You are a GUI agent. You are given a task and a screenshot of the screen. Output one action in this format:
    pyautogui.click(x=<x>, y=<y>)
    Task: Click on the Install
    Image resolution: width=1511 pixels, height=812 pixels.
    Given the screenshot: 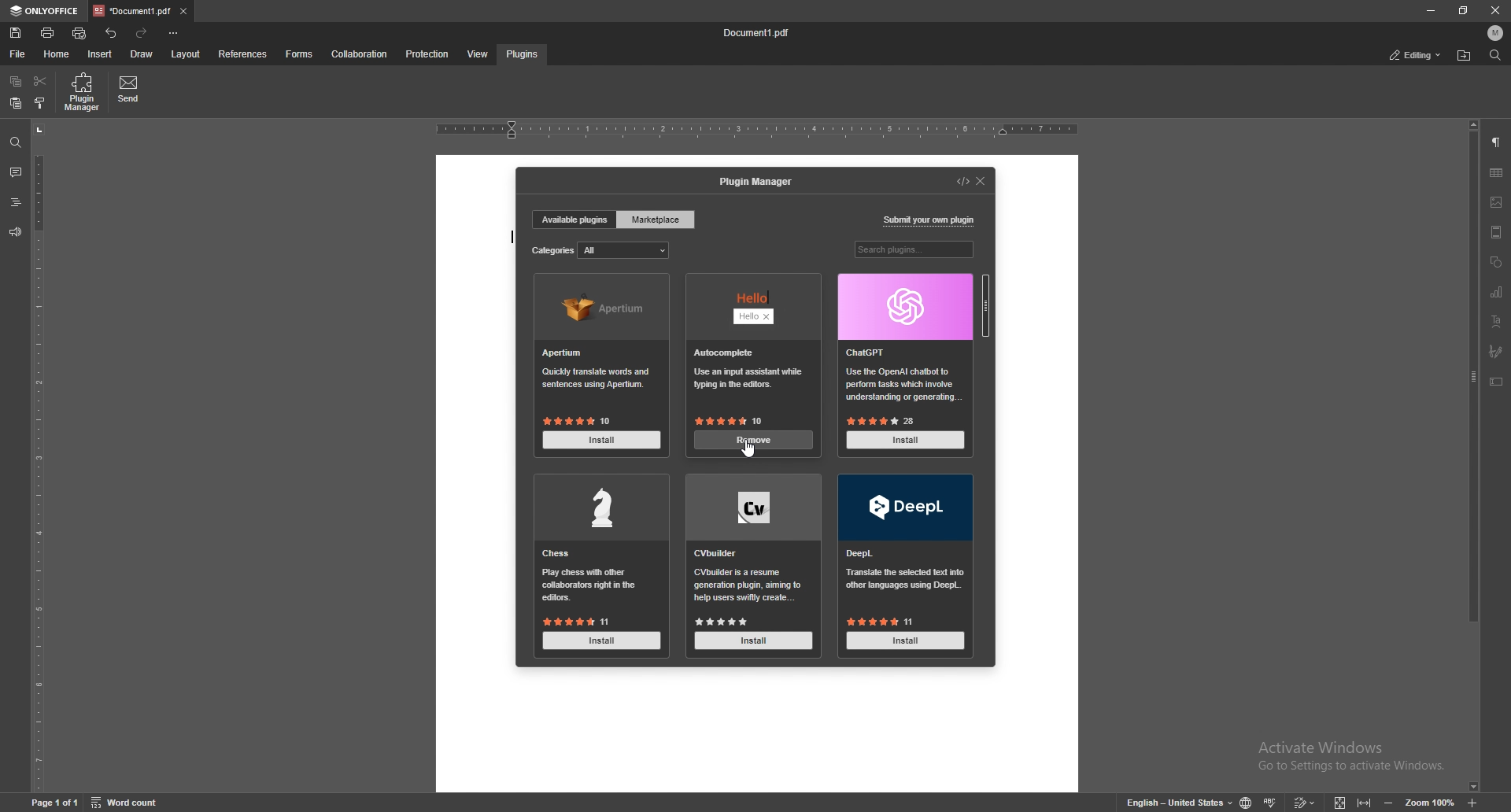 What is the action you would take?
    pyautogui.click(x=904, y=641)
    